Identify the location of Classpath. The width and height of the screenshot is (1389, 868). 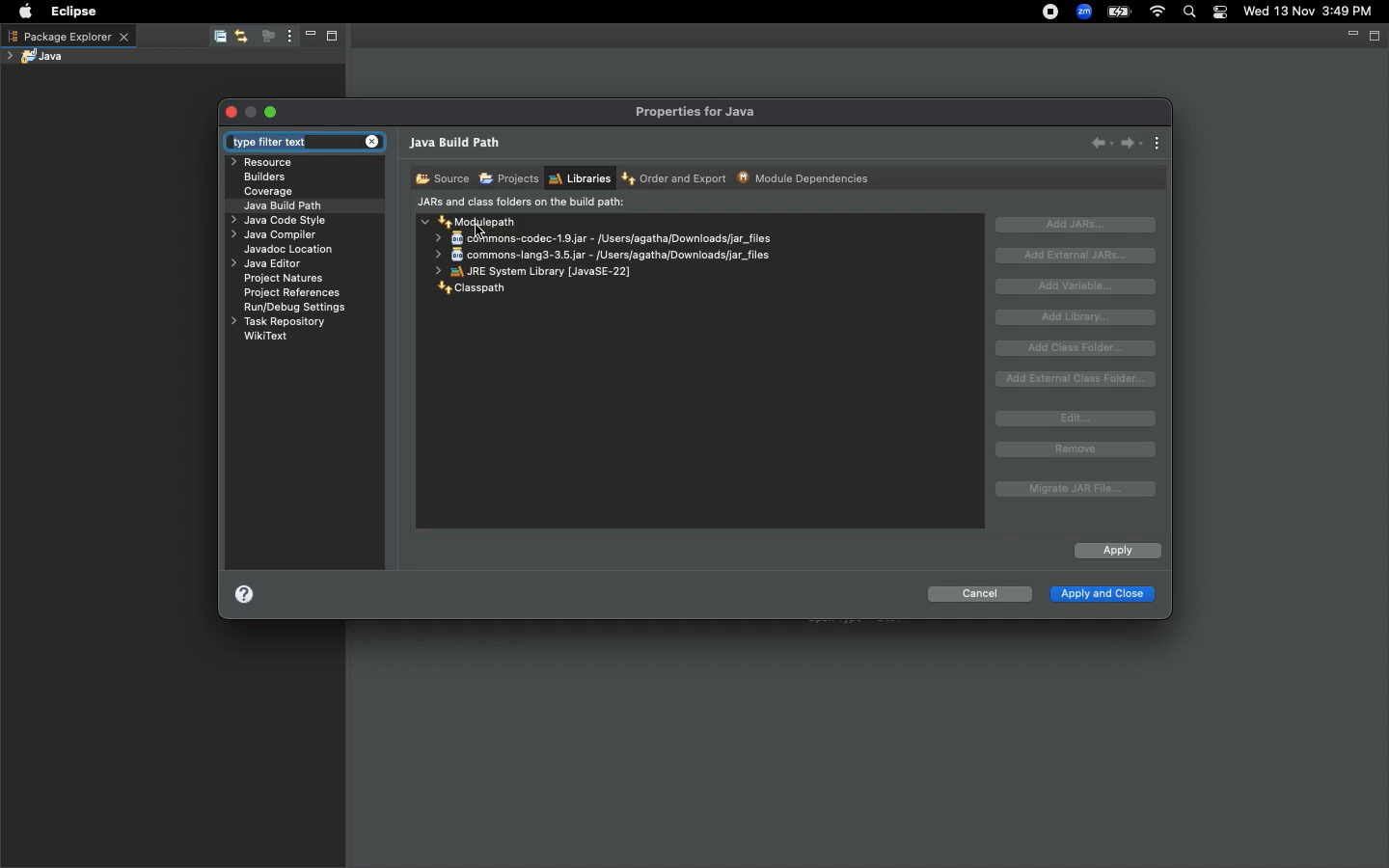
(468, 290).